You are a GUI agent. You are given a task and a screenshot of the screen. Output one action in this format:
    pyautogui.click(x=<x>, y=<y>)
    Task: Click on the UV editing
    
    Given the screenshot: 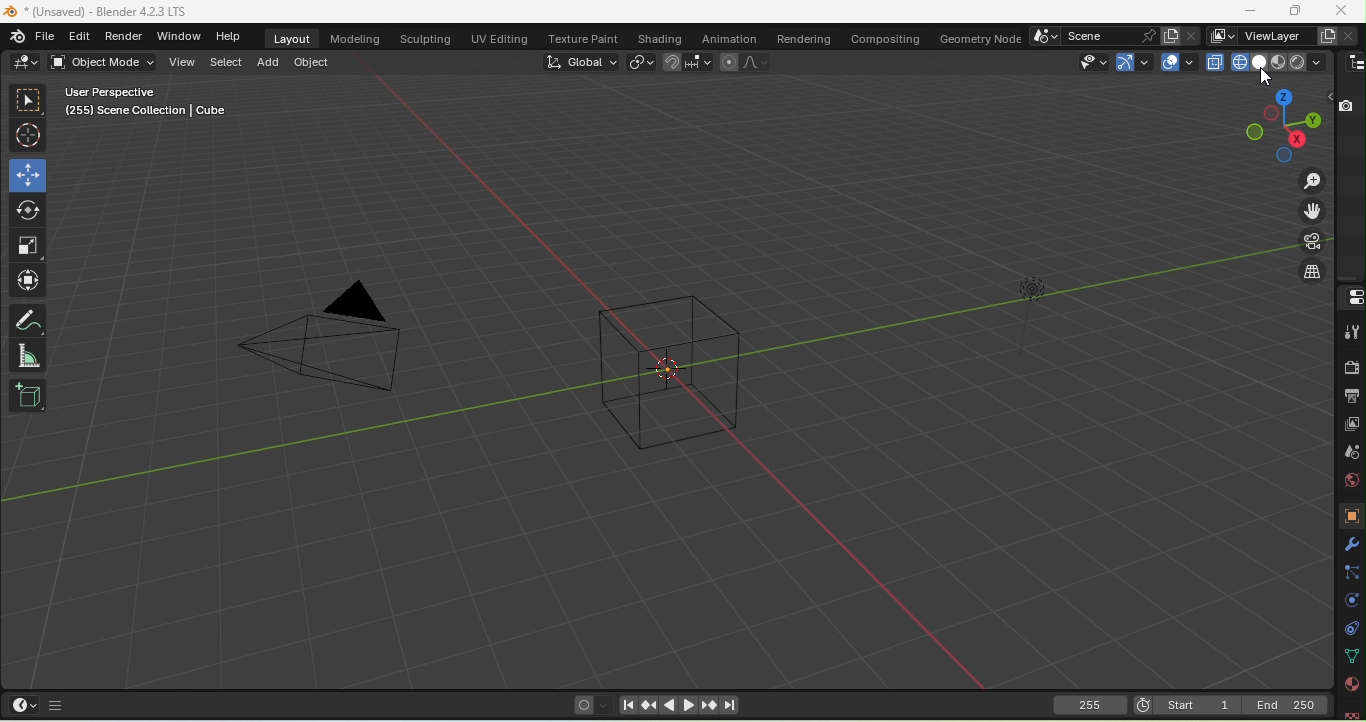 What is the action you would take?
    pyautogui.click(x=498, y=38)
    